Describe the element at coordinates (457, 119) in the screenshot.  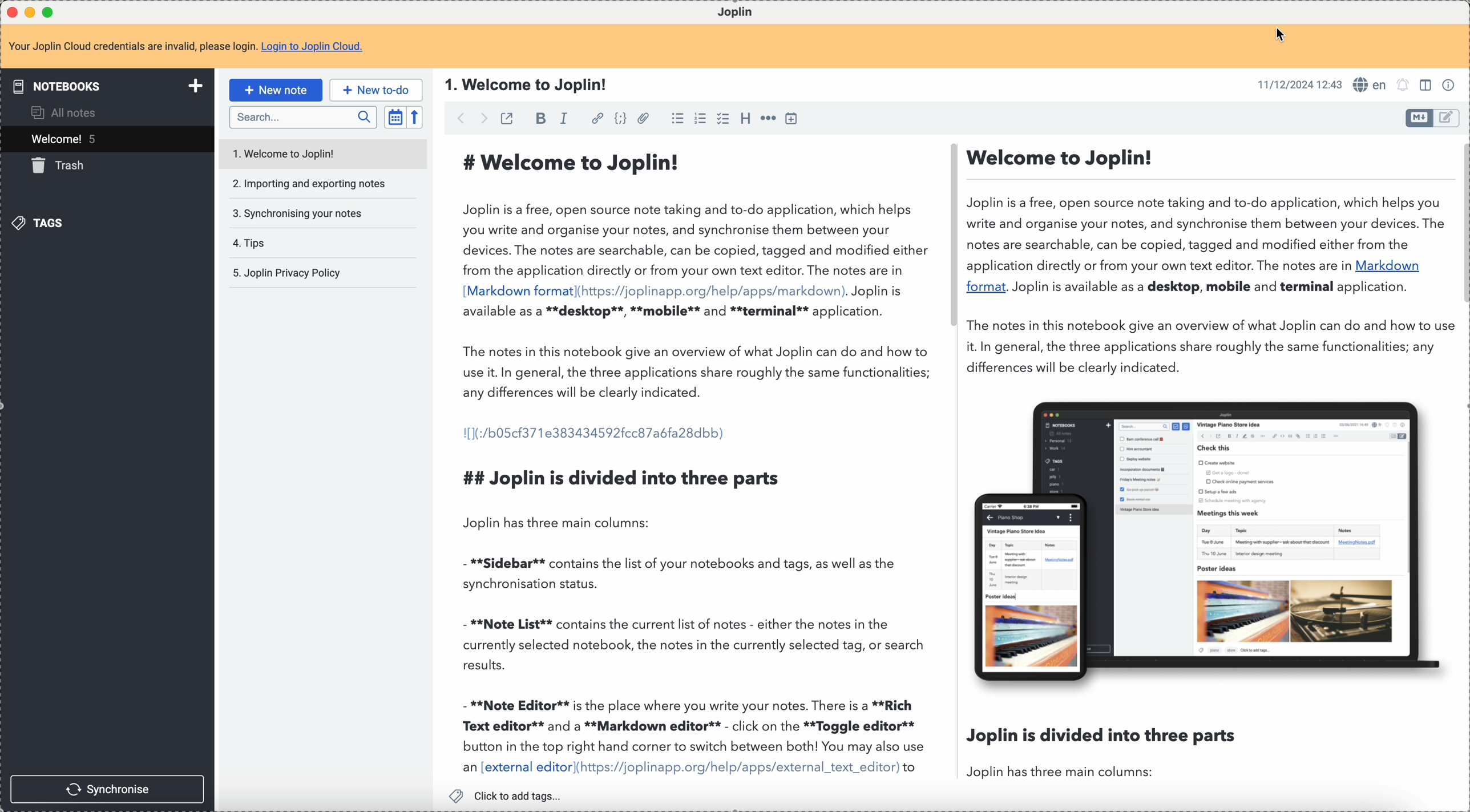
I see `back` at that location.